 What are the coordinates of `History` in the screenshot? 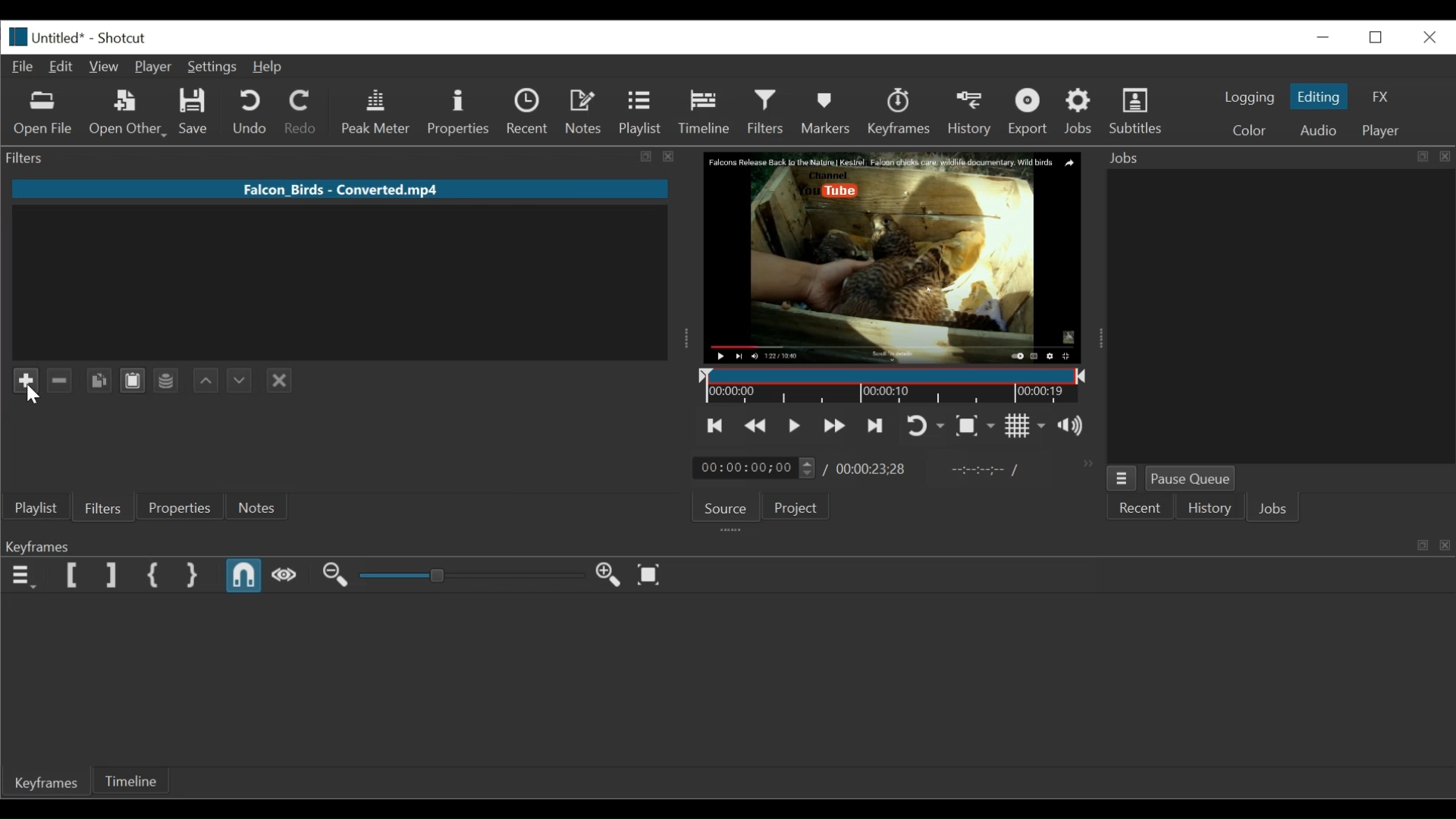 It's located at (970, 112).